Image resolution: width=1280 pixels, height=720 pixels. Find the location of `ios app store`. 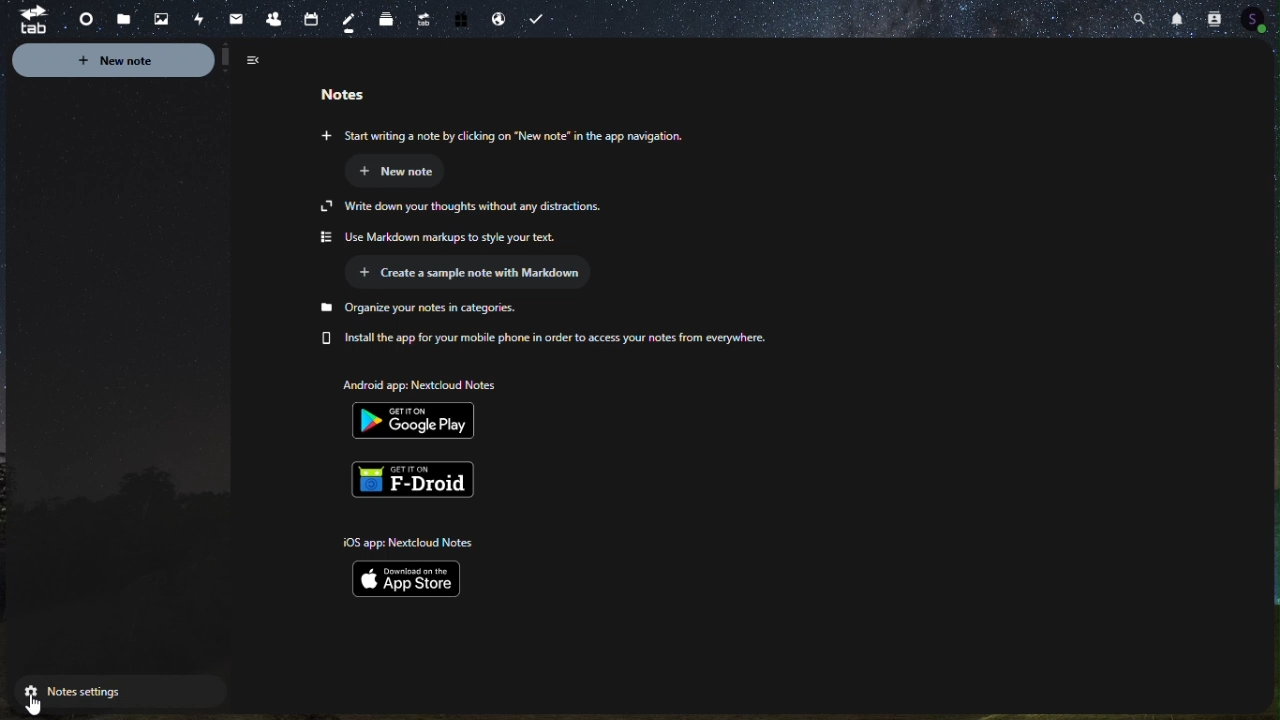

ios app store is located at coordinates (409, 580).